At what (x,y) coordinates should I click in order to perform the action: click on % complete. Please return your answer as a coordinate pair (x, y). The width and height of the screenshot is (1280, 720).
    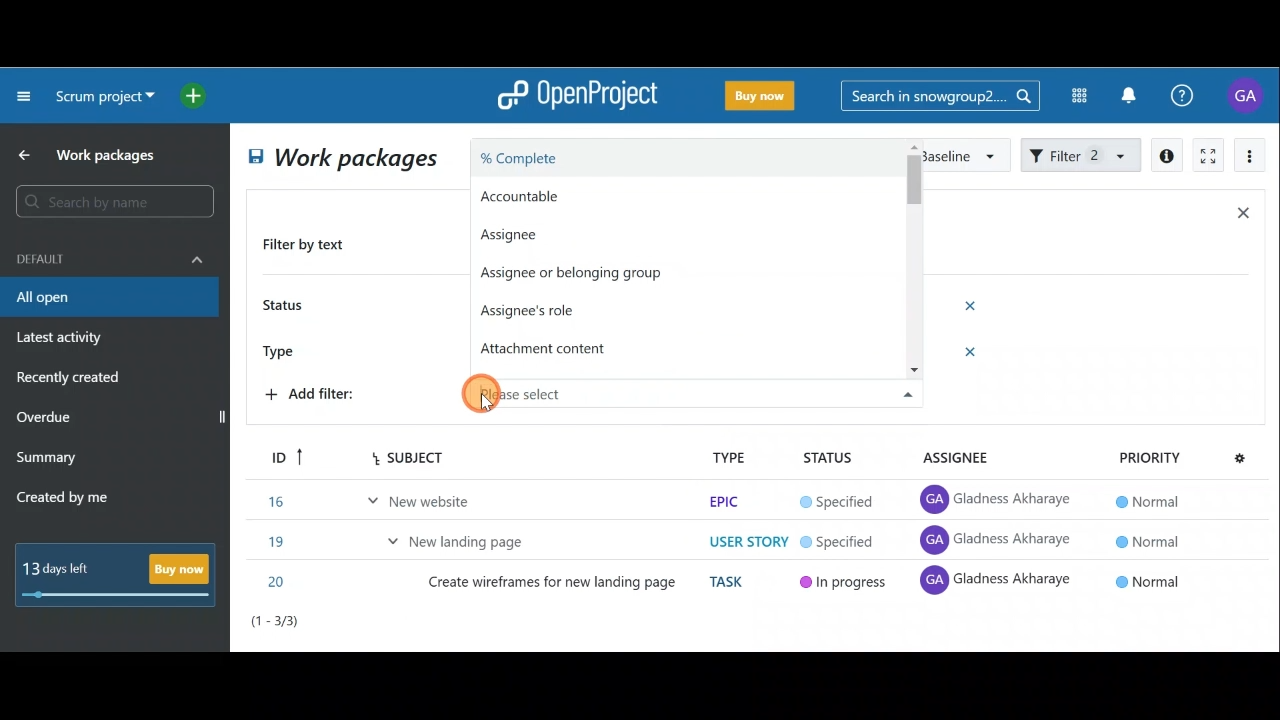
    Looking at the image, I should click on (642, 160).